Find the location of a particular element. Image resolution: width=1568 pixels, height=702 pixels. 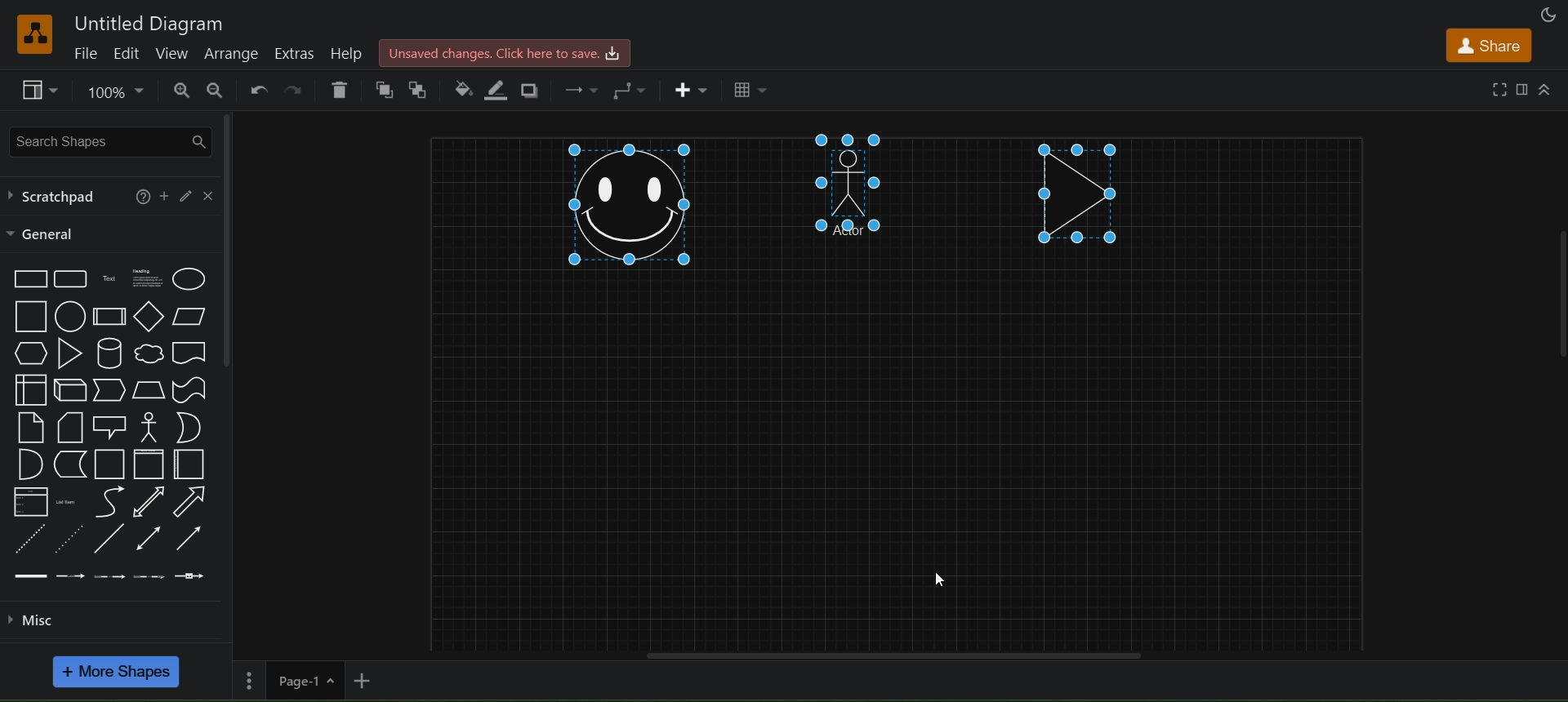

bidirectional connector is located at coordinates (151, 539).